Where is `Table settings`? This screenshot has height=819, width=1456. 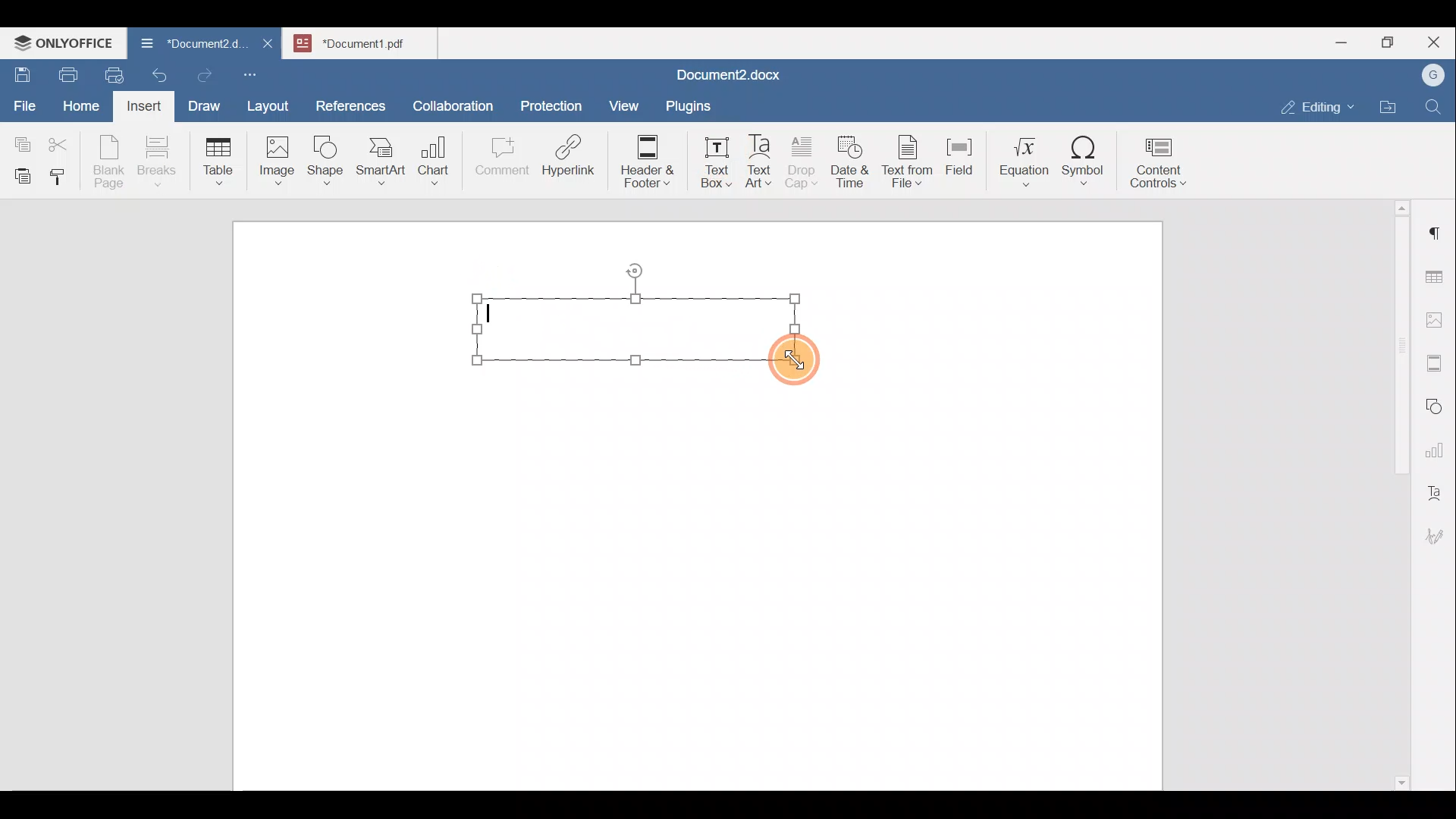 Table settings is located at coordinates (1437, 275).